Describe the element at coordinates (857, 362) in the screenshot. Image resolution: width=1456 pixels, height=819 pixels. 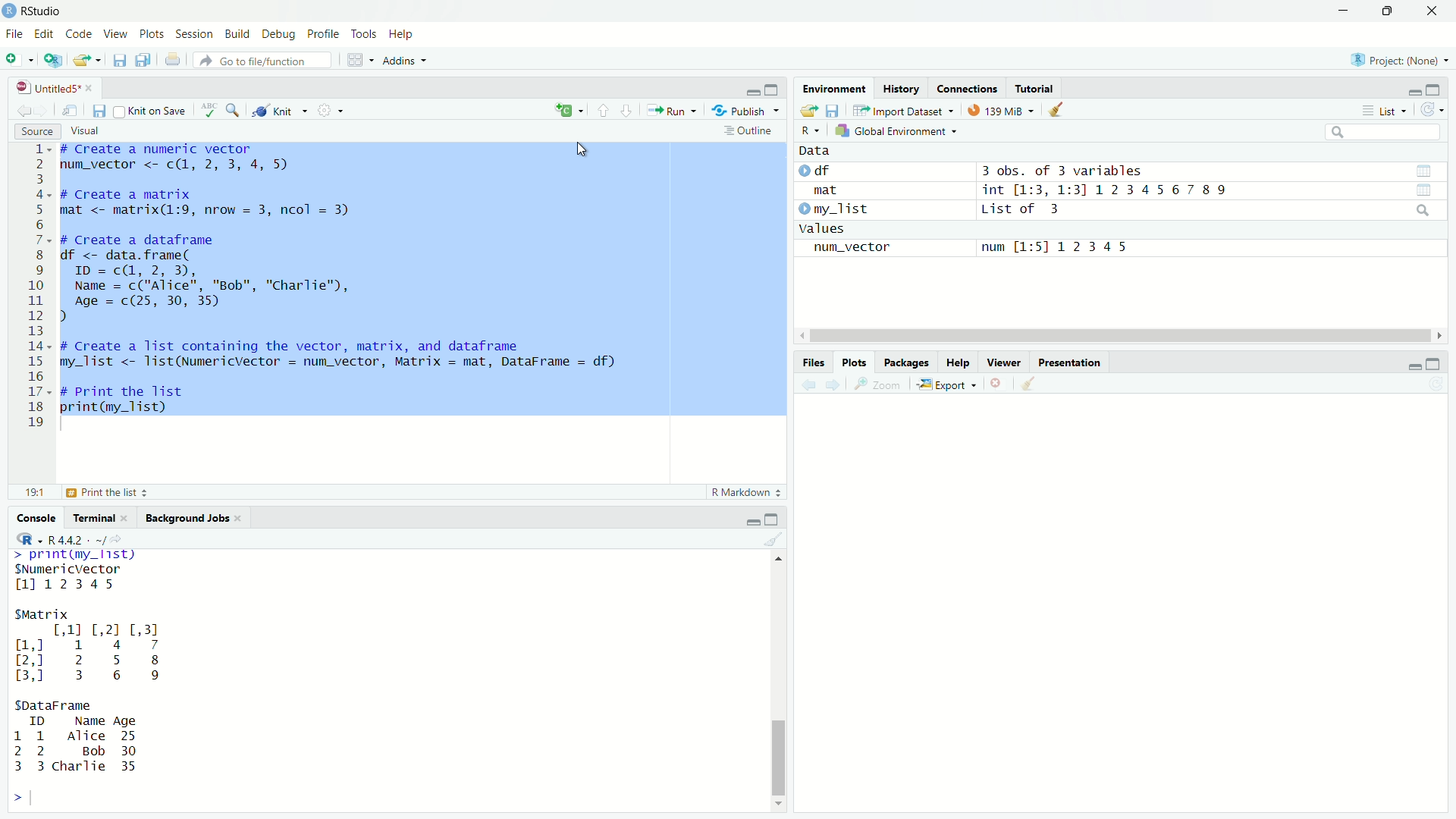
I see `Plots` at that location.